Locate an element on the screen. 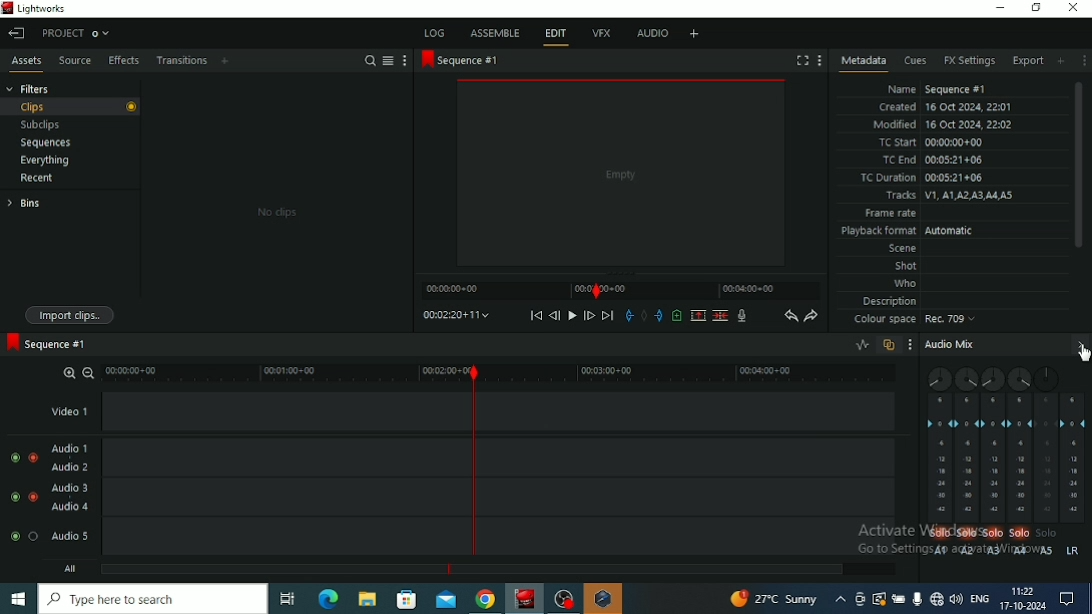 The height and width of the screenshot is (614, 1092). Mail is located at coordinates (446, 599).